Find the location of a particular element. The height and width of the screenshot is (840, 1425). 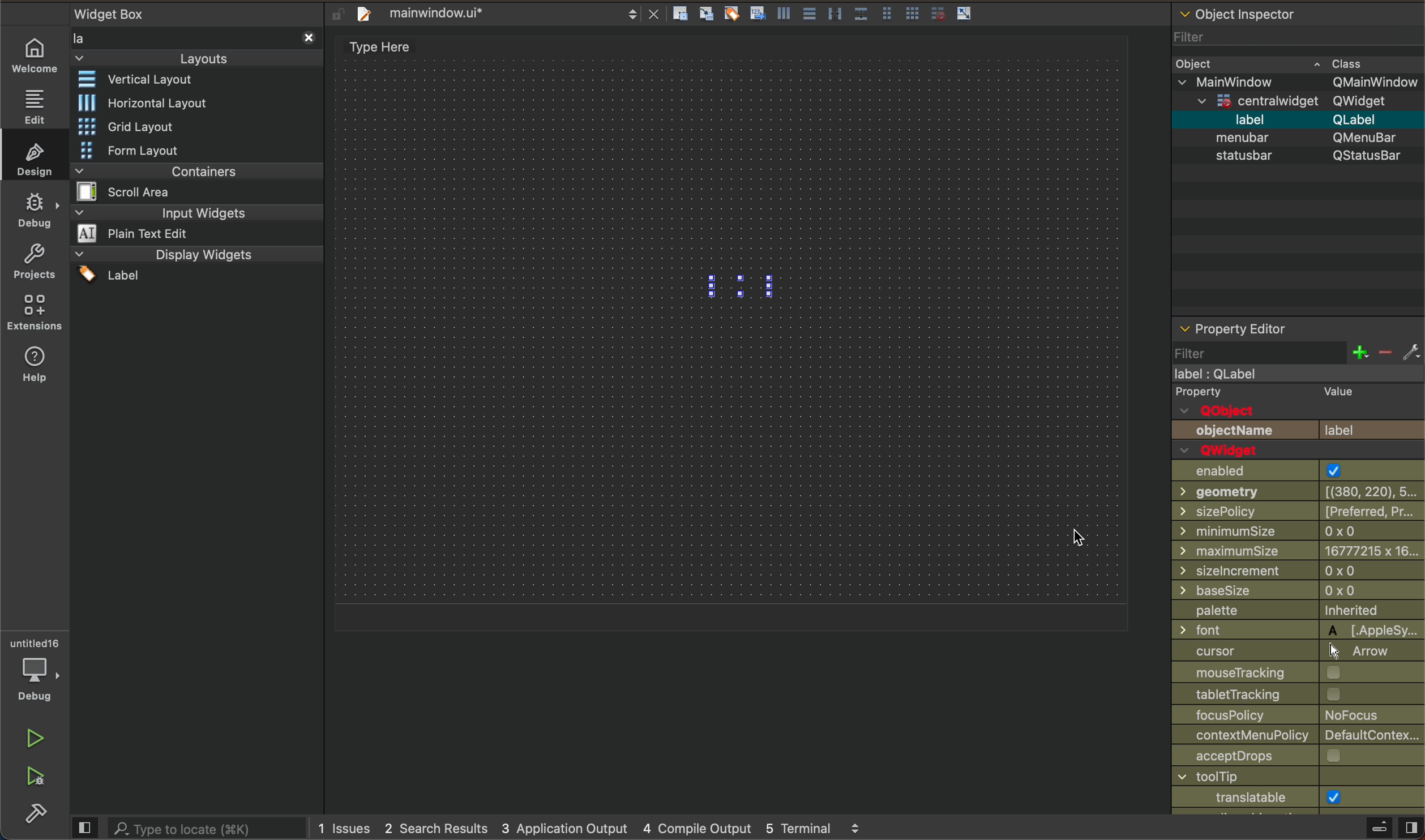

layout actions is located at coordinates (818, 14).